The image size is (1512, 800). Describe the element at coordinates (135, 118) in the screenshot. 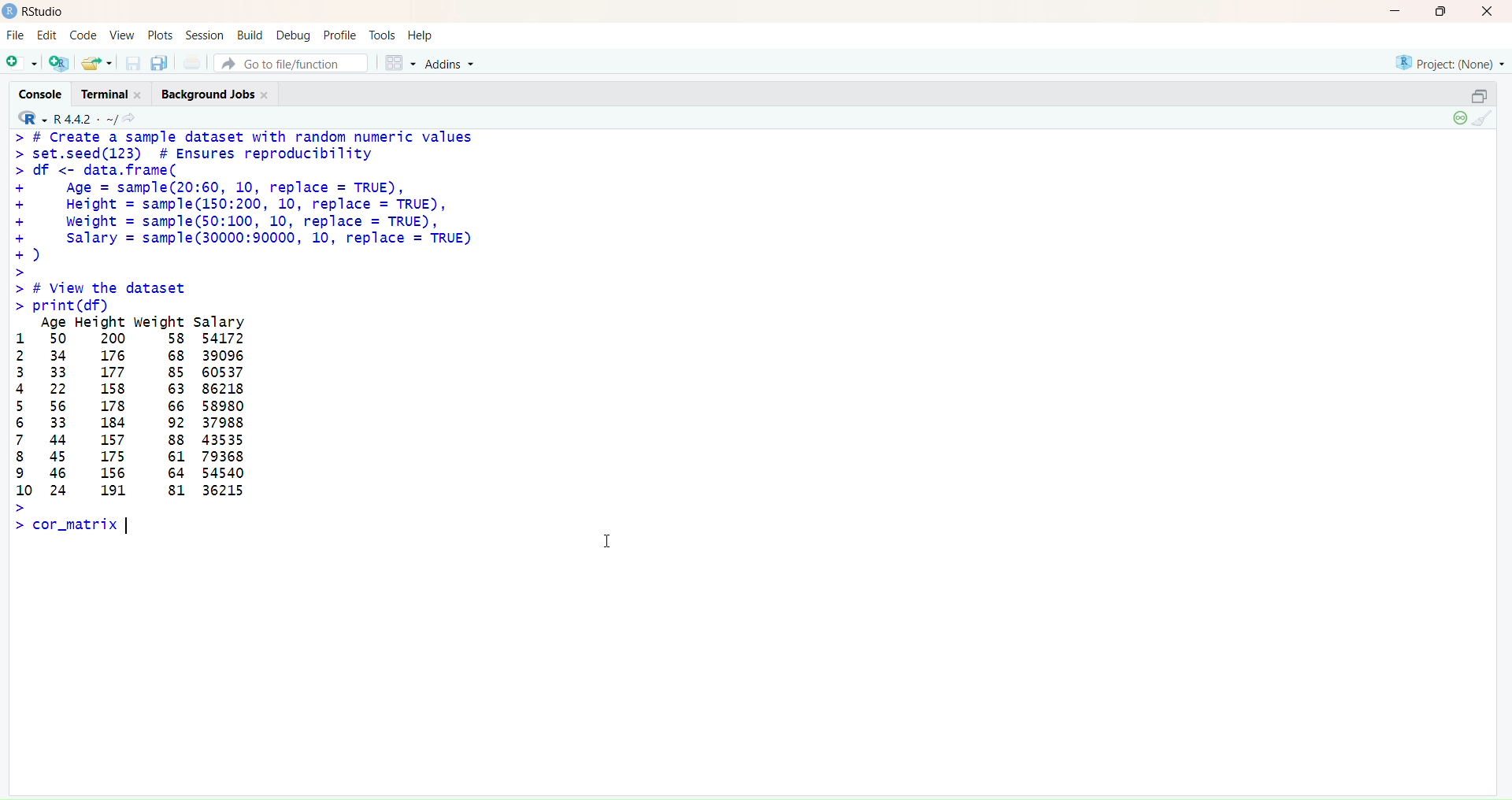

I see `Show in new window` at that location.